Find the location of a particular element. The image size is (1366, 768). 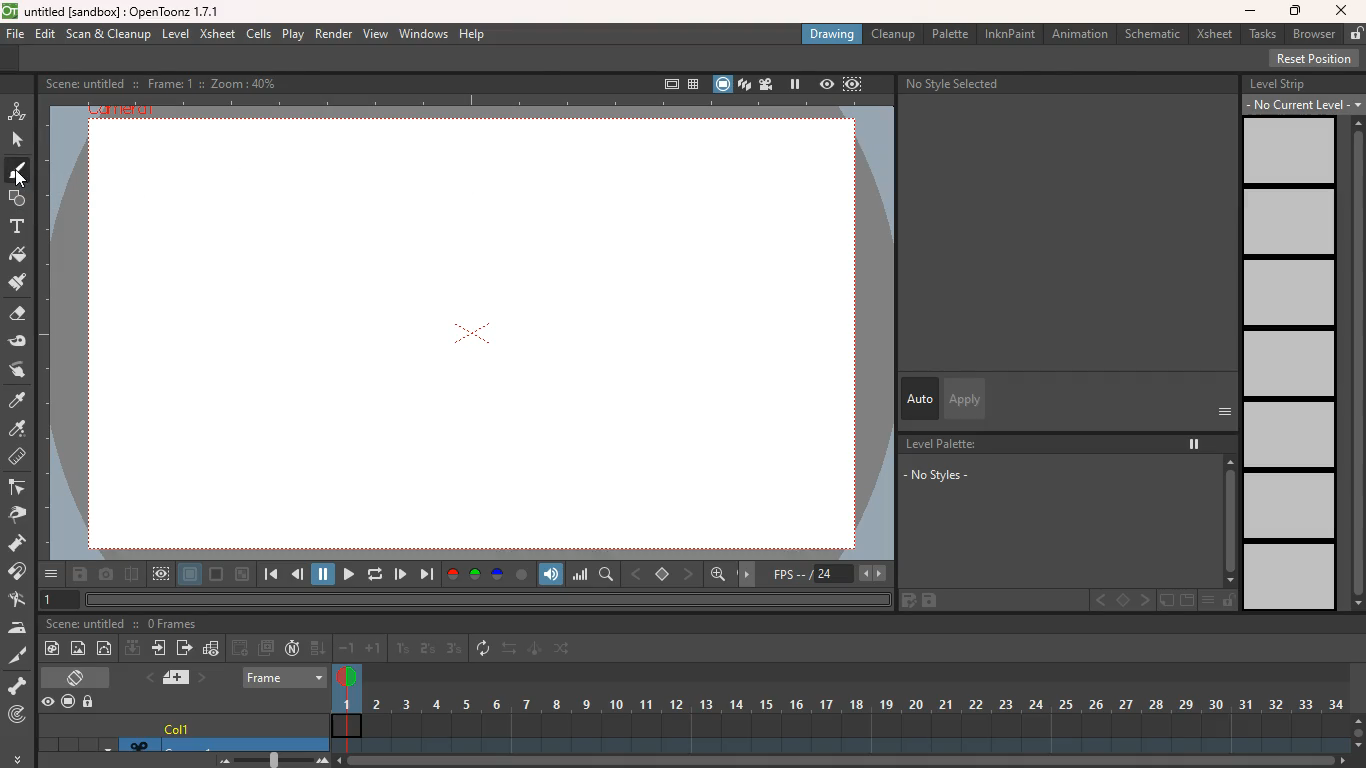

scroll is located at coordinates (1225, 523).